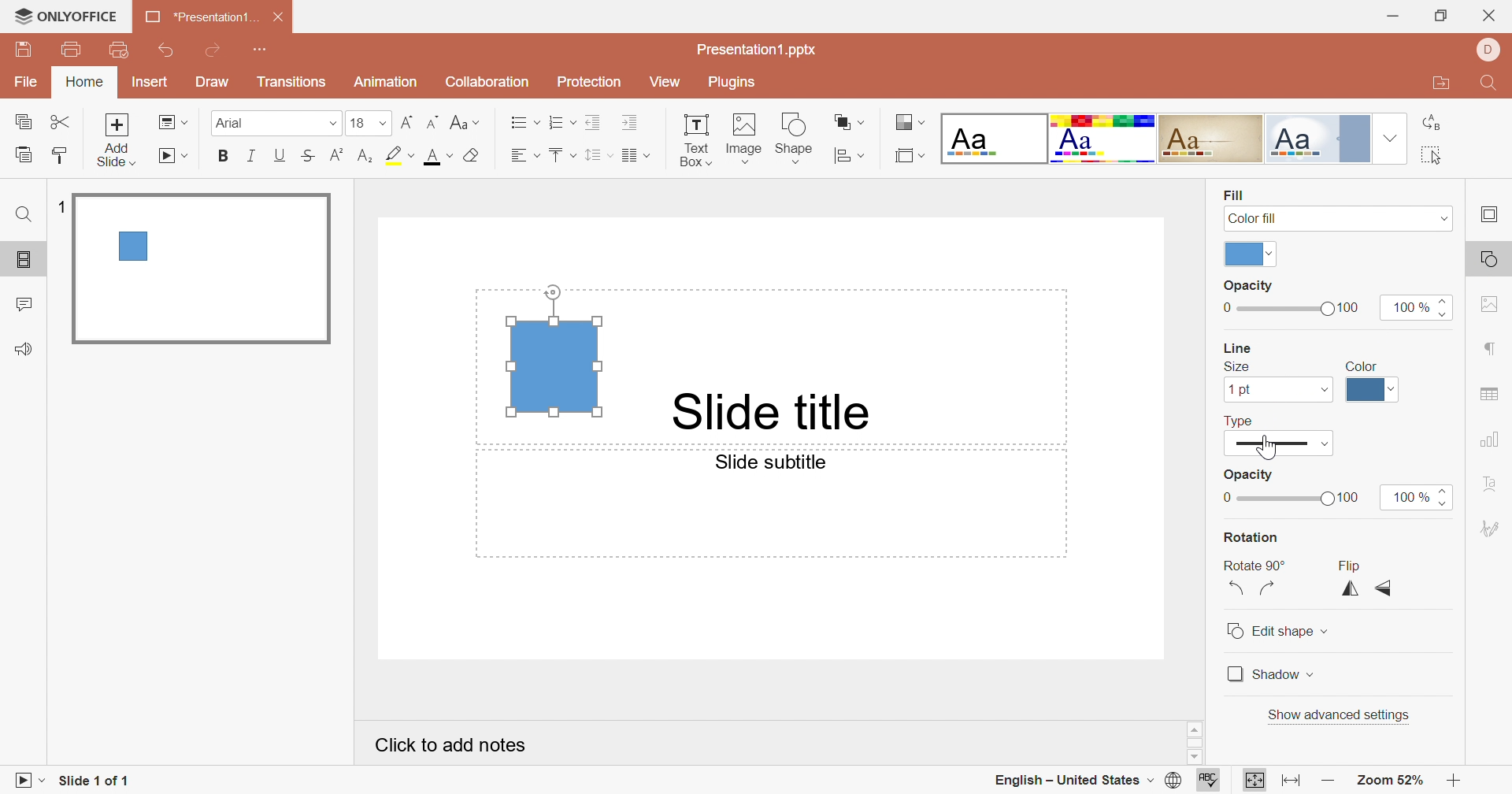  I want to click on Slide settings, so click(1492, 216).